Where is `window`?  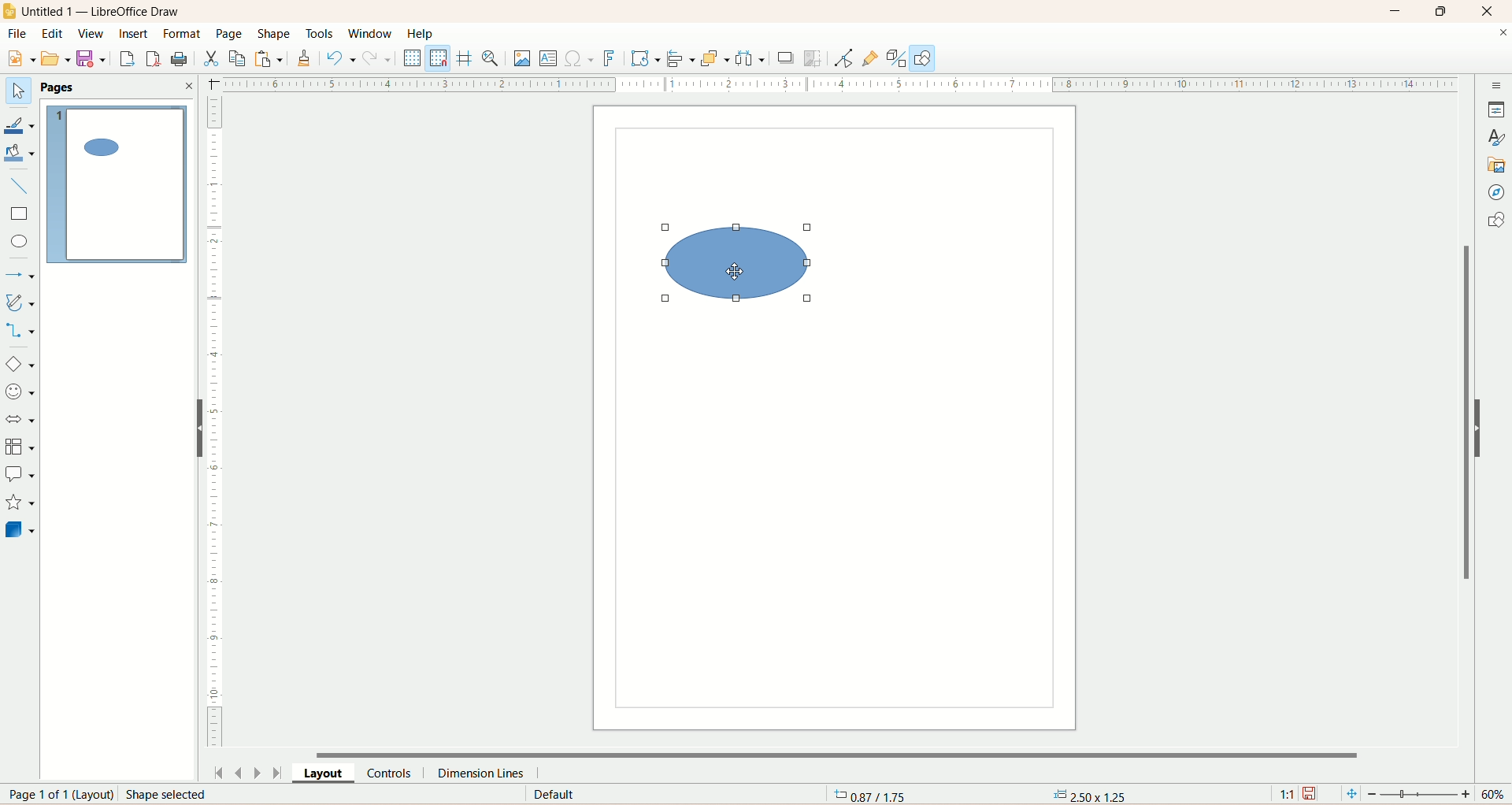 window is located at coordinates (371, 35).